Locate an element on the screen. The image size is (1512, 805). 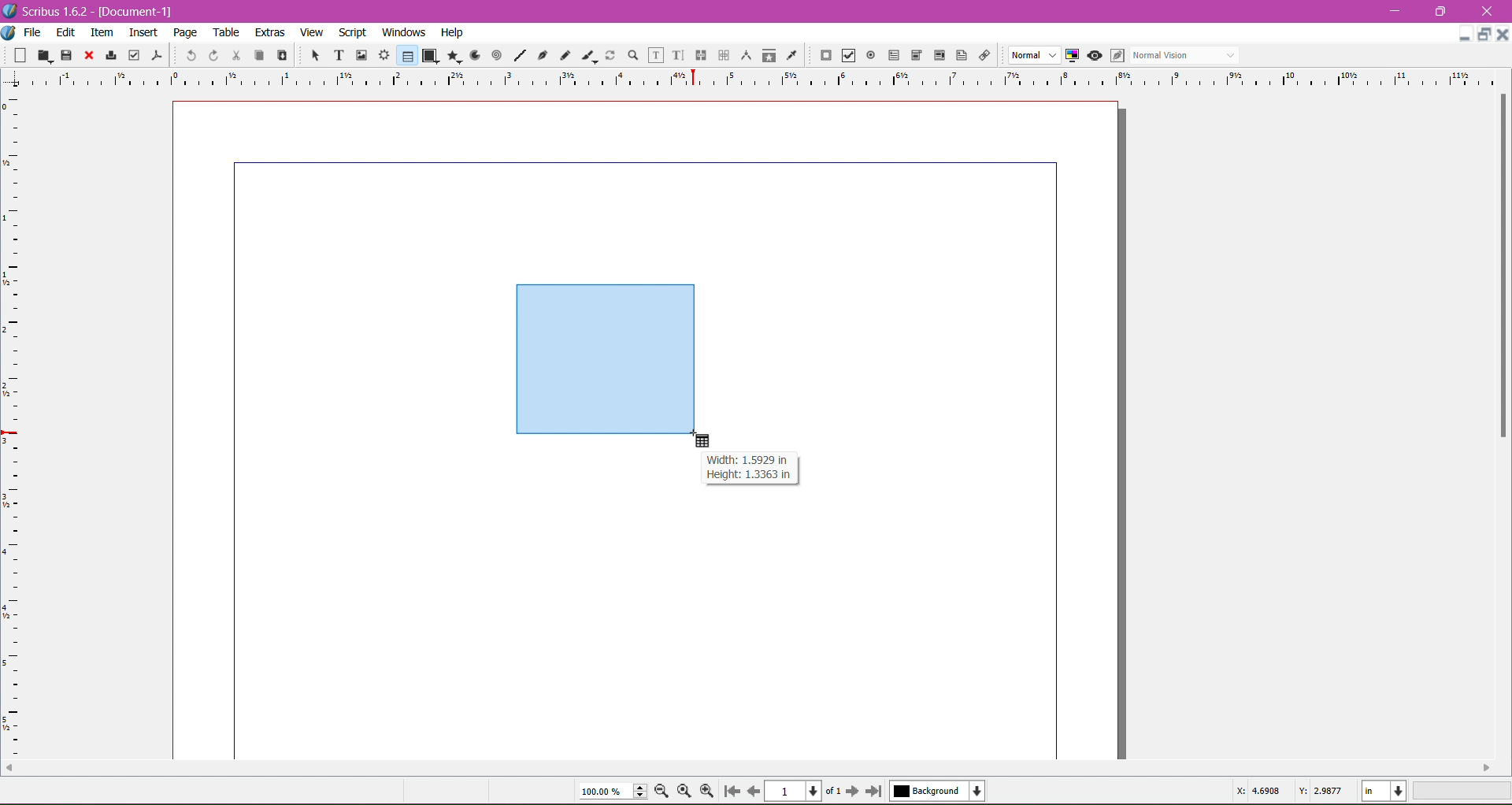
Print is located at coordinates (109, 57).